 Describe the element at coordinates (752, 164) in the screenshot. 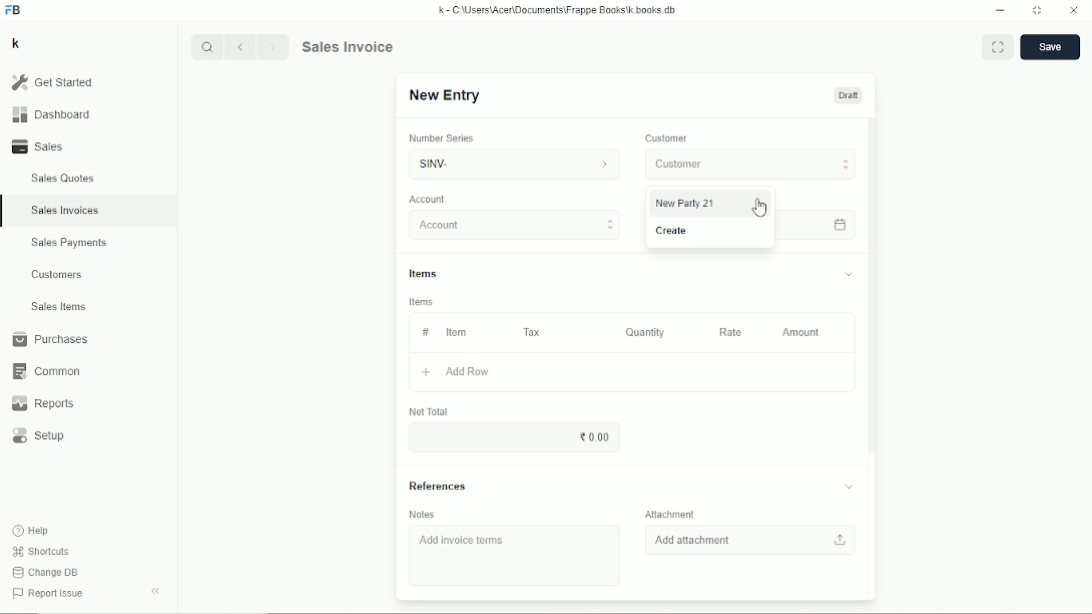

I see `Customer` at that location.